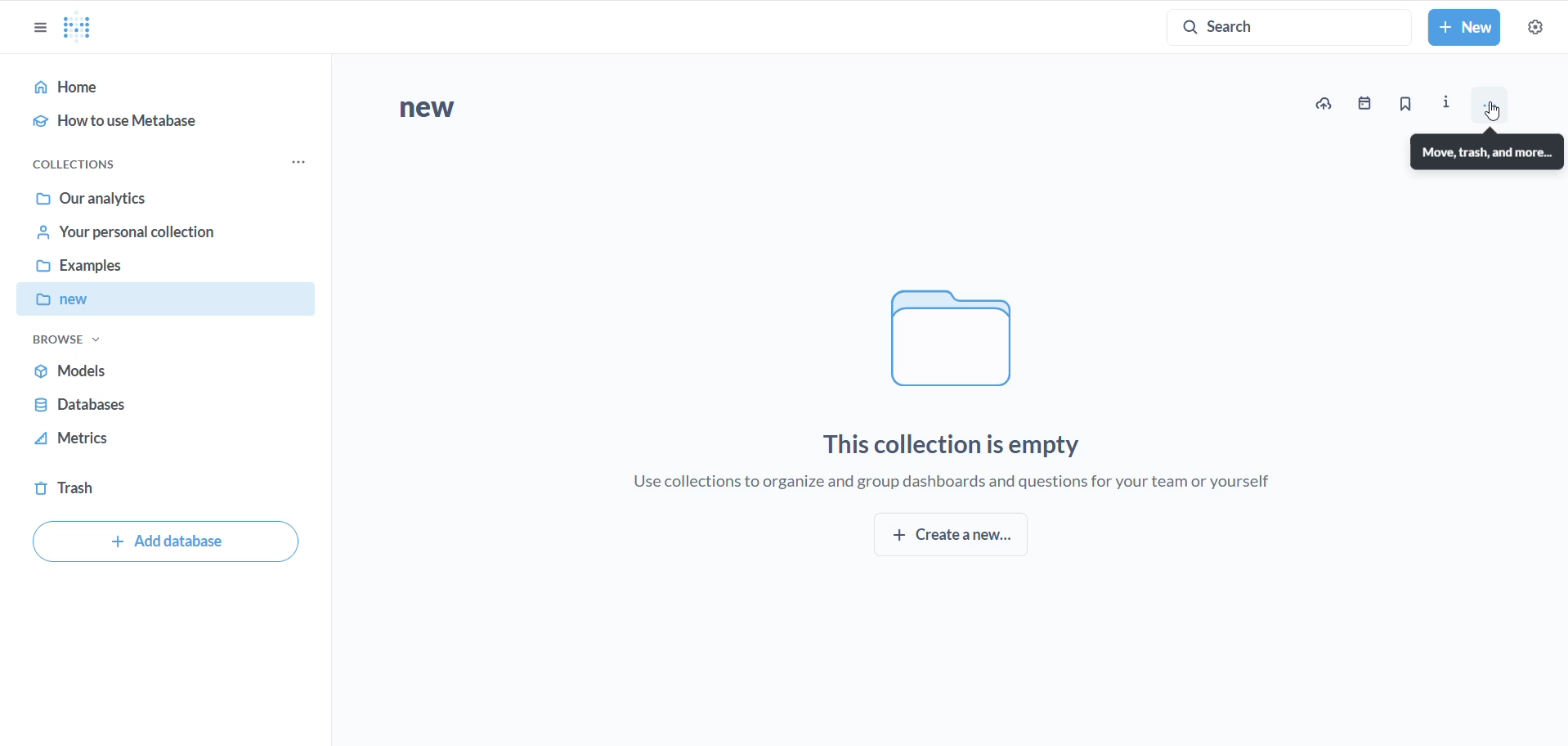 The image size is (1568, 746). Describe the element at coordinates (1408, 104) in the screenshot. I see `bookmark` at that location.